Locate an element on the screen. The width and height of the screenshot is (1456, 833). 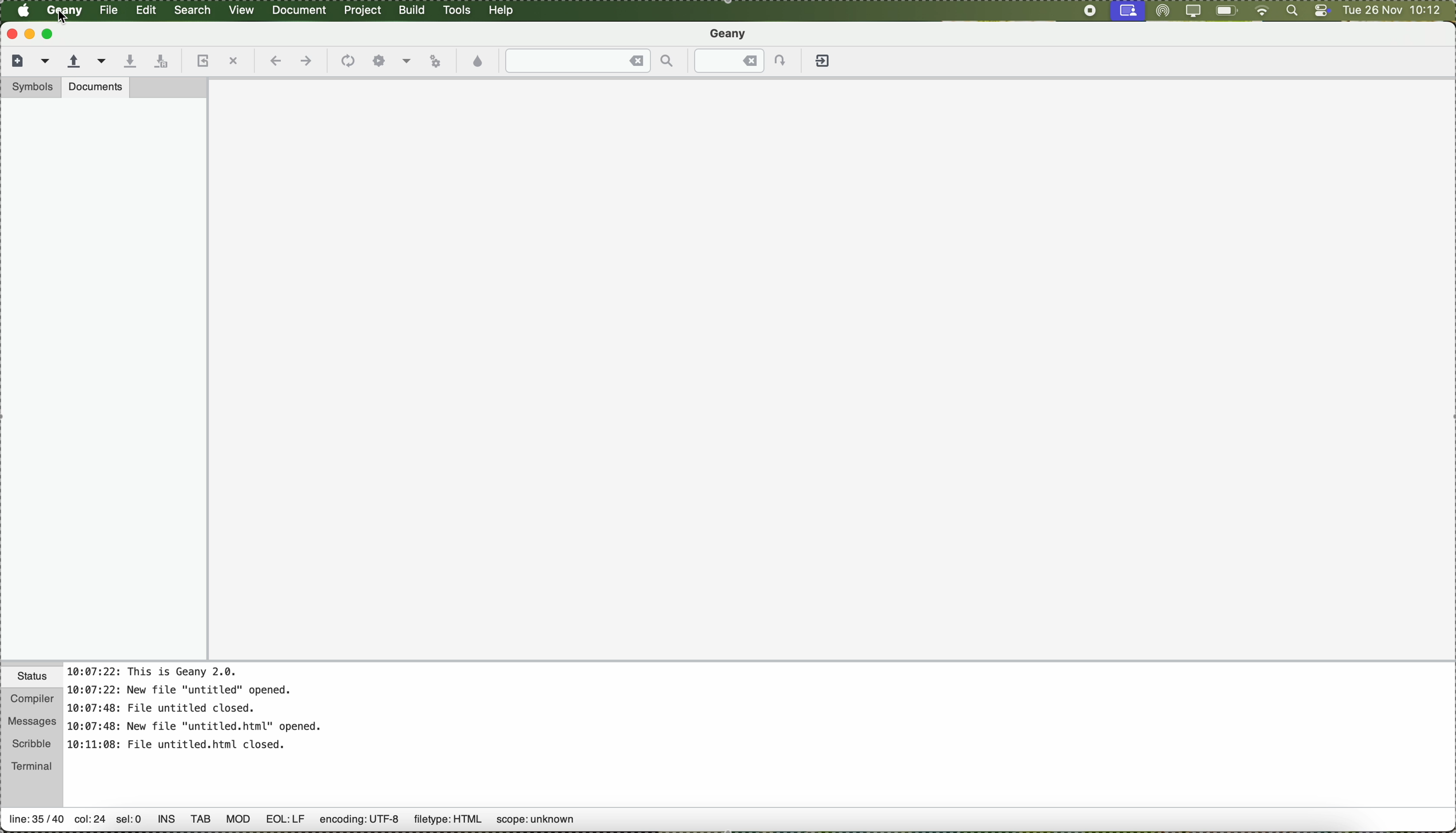
screen is located at coordinates (1128, 10).